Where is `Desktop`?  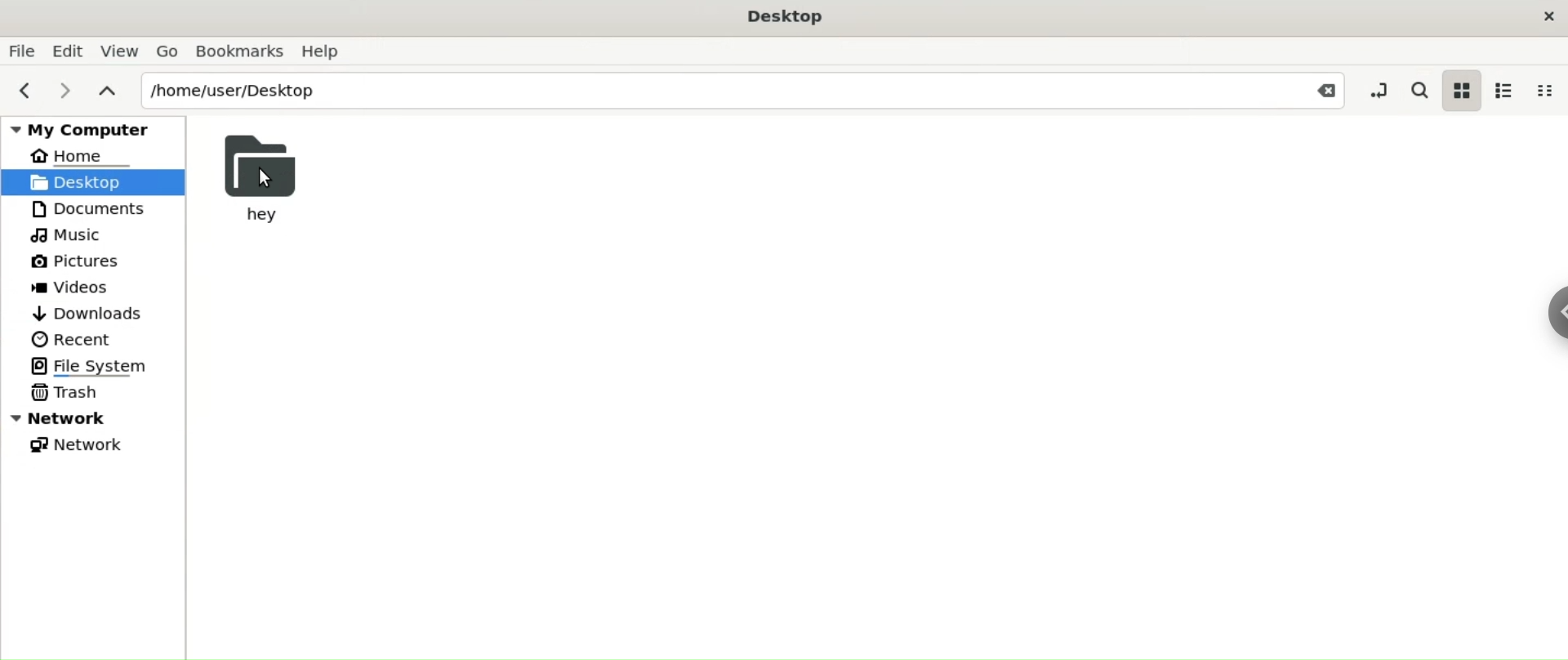
Desktop is located at coordinates (790, 17).